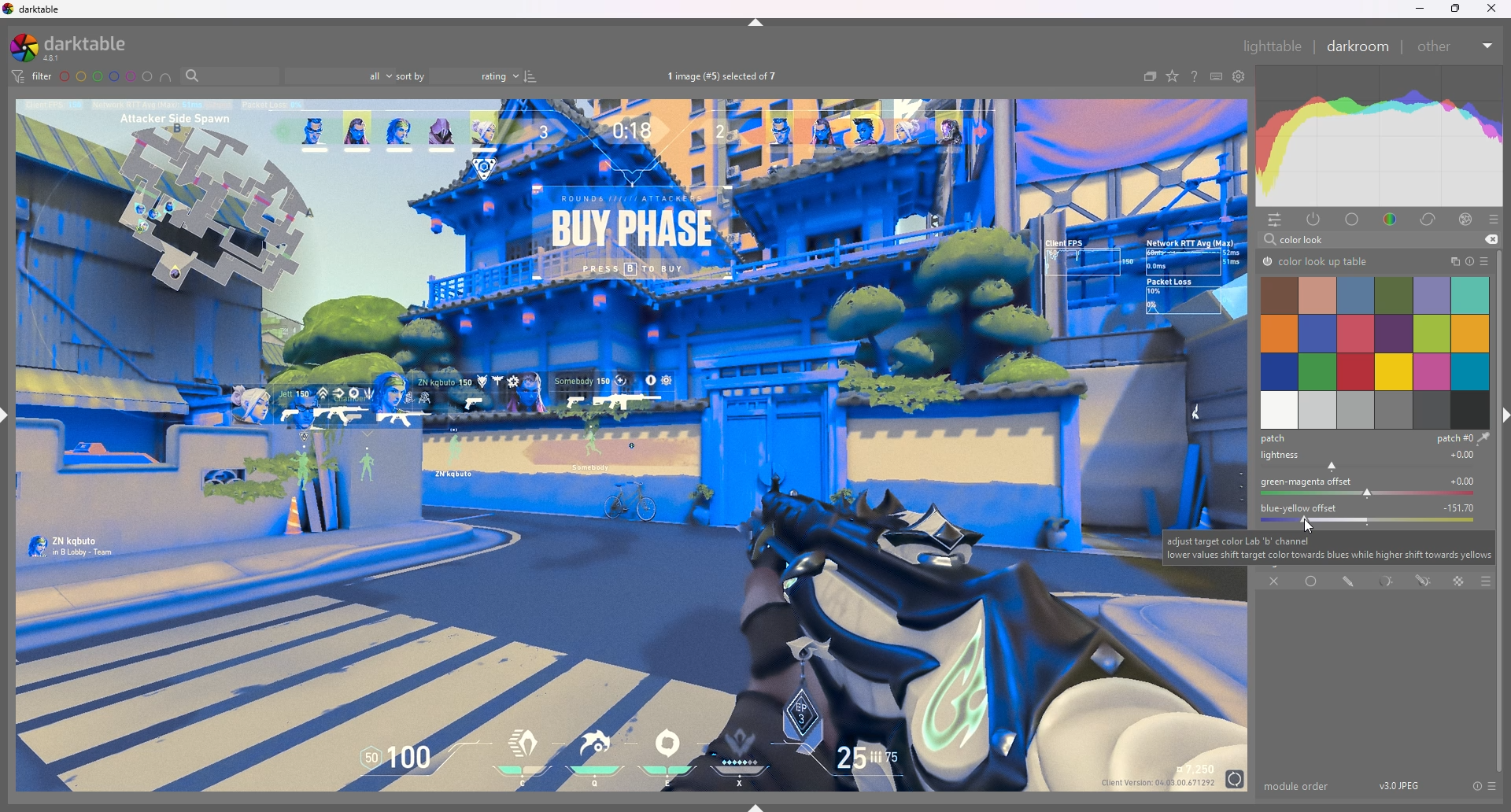 This screenshot has height=812, width=1511. Describe the element at coordinates (1491, 785) in the screenshot. I see `presets` at that location.